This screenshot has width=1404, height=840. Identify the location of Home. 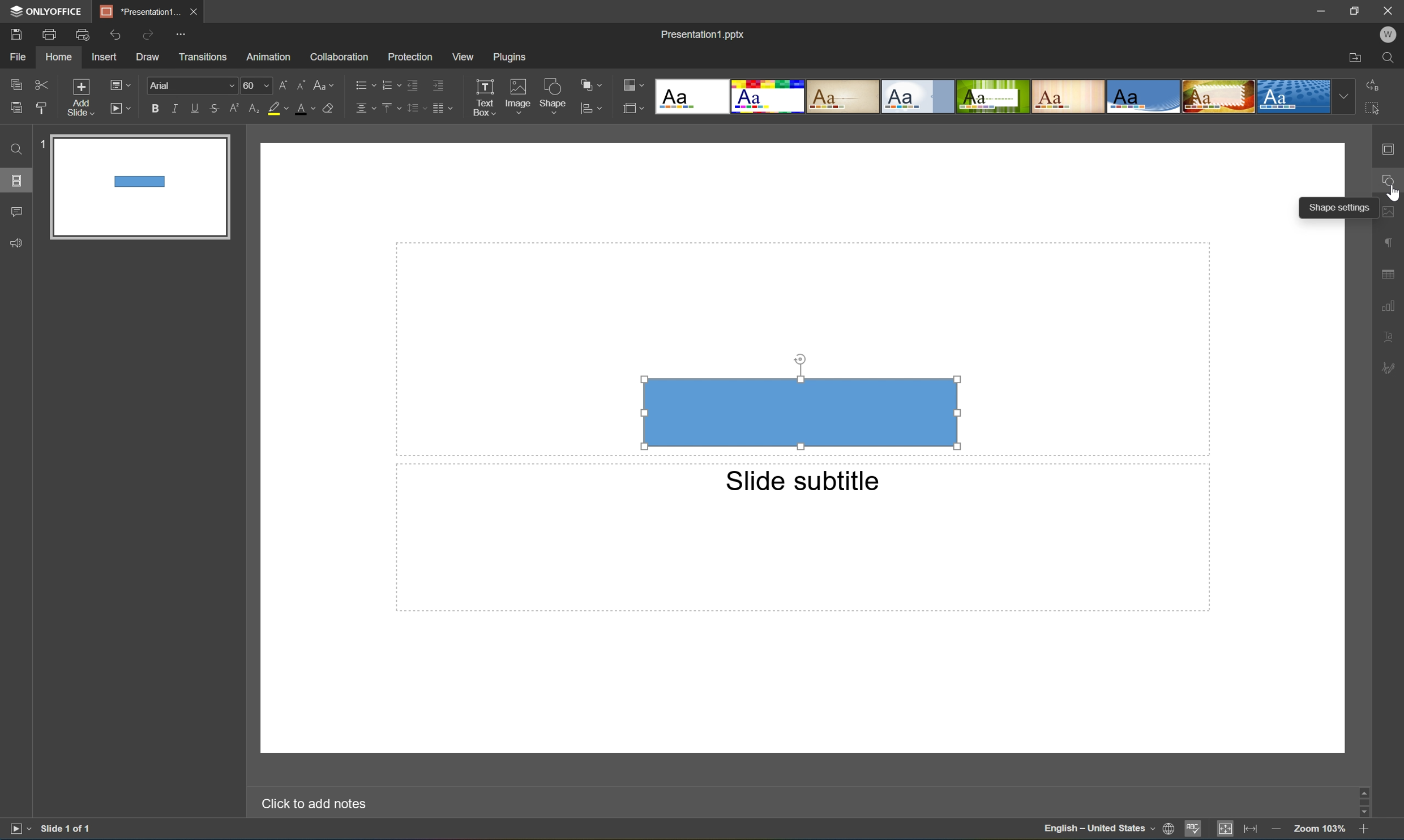
(59, 58).